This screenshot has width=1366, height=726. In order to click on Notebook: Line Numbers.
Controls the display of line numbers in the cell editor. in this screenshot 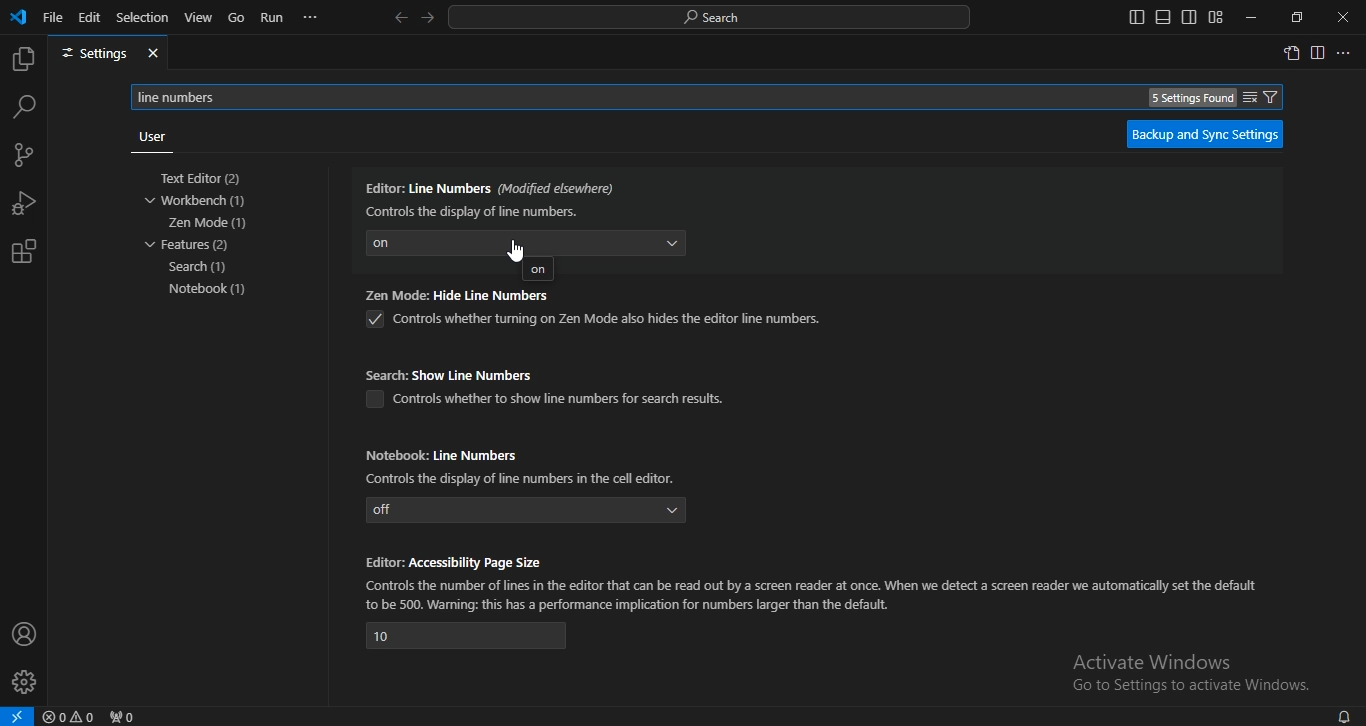, I will do `click(526, 464)`.